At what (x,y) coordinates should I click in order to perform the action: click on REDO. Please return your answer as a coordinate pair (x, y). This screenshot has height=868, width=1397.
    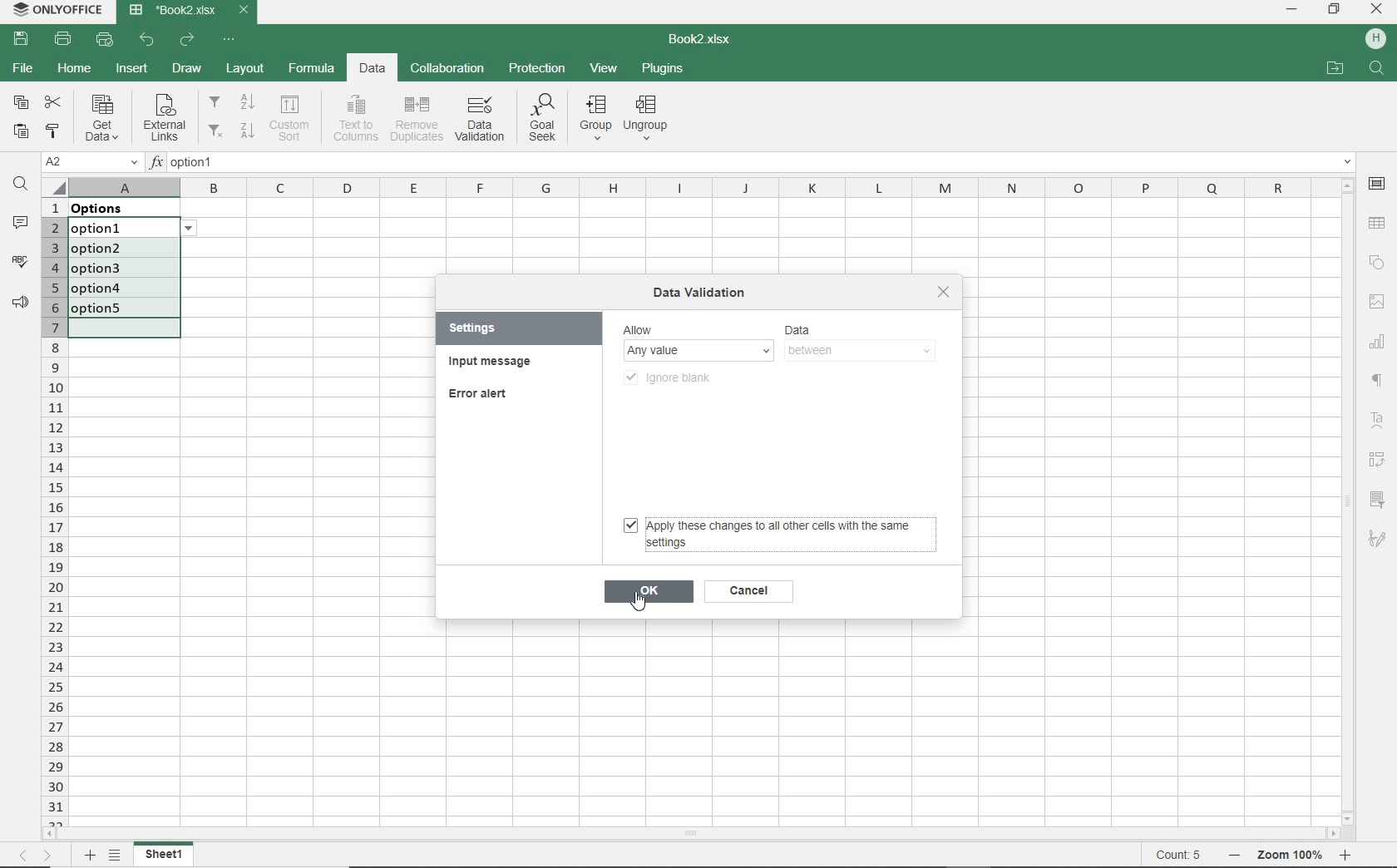
    Looking at the image, I should click on (187, 40).